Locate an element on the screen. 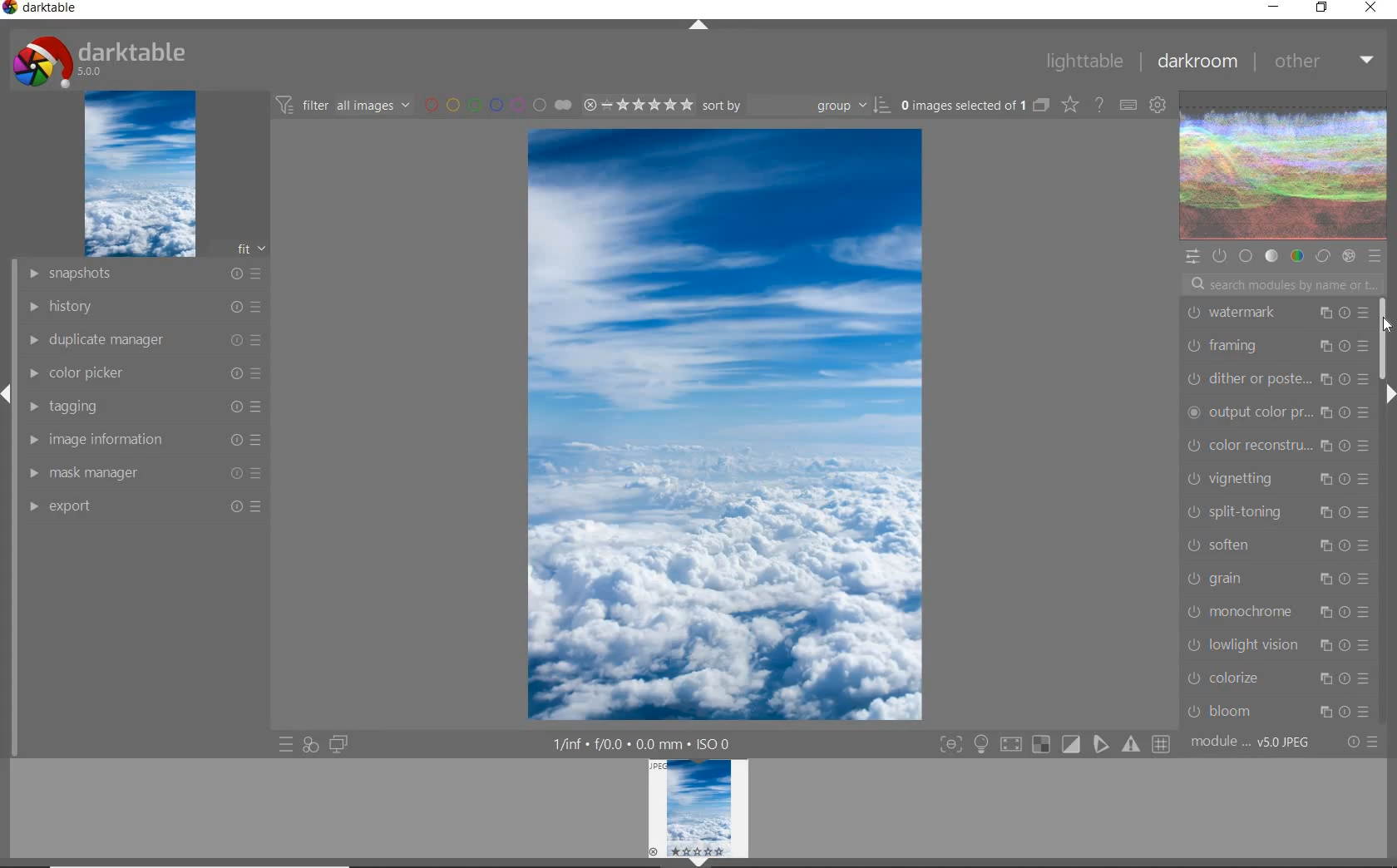 Image resolution: width=1397 pixels, height=868 pixels. DISPLAY A SECOND DARKROOM DISPLAY is located at coordinates (338, 745).